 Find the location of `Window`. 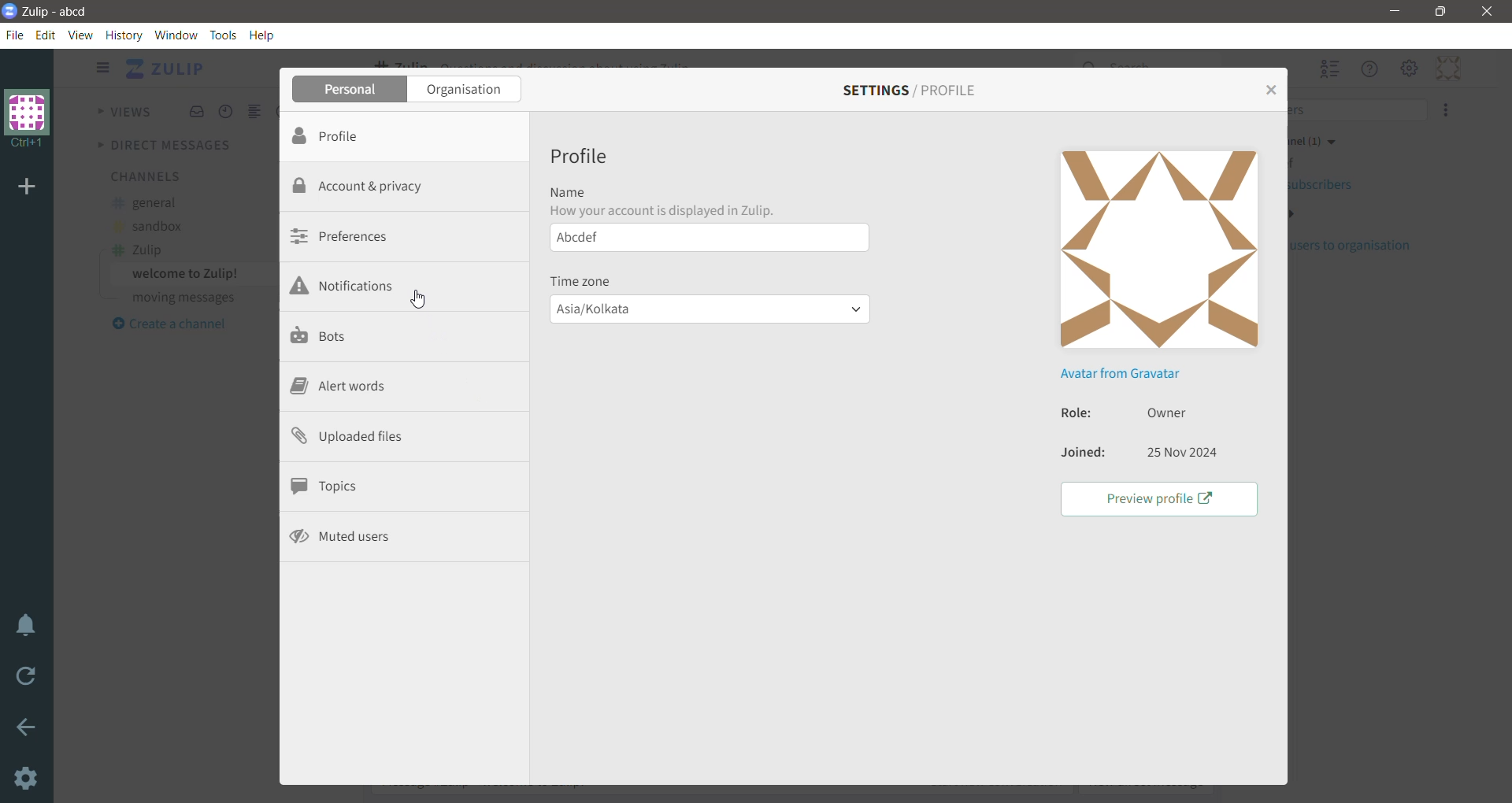

Window is located at coordinates (176, 35).